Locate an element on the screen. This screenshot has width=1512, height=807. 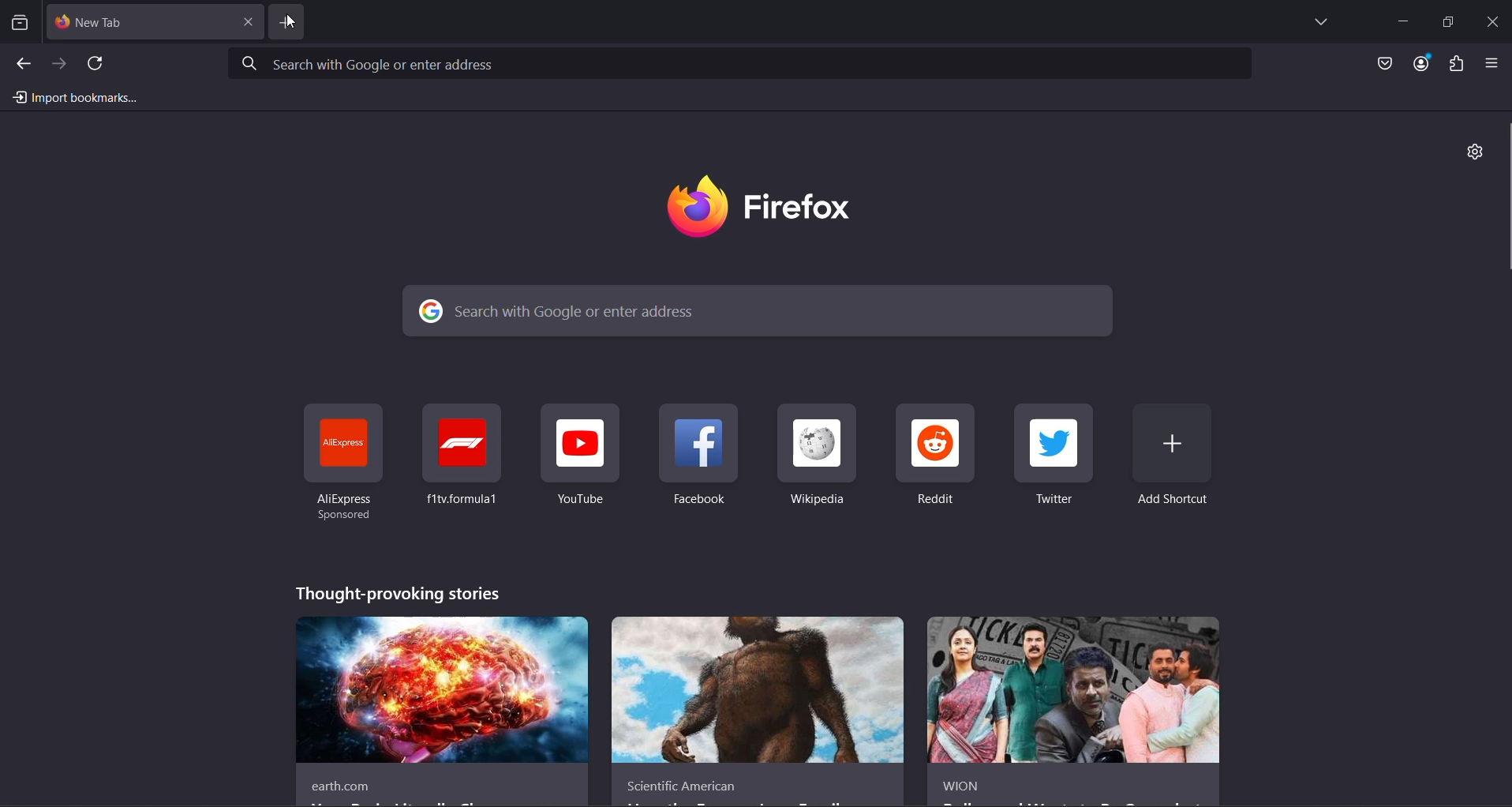
maximize is located at coordinates (1452, 21).